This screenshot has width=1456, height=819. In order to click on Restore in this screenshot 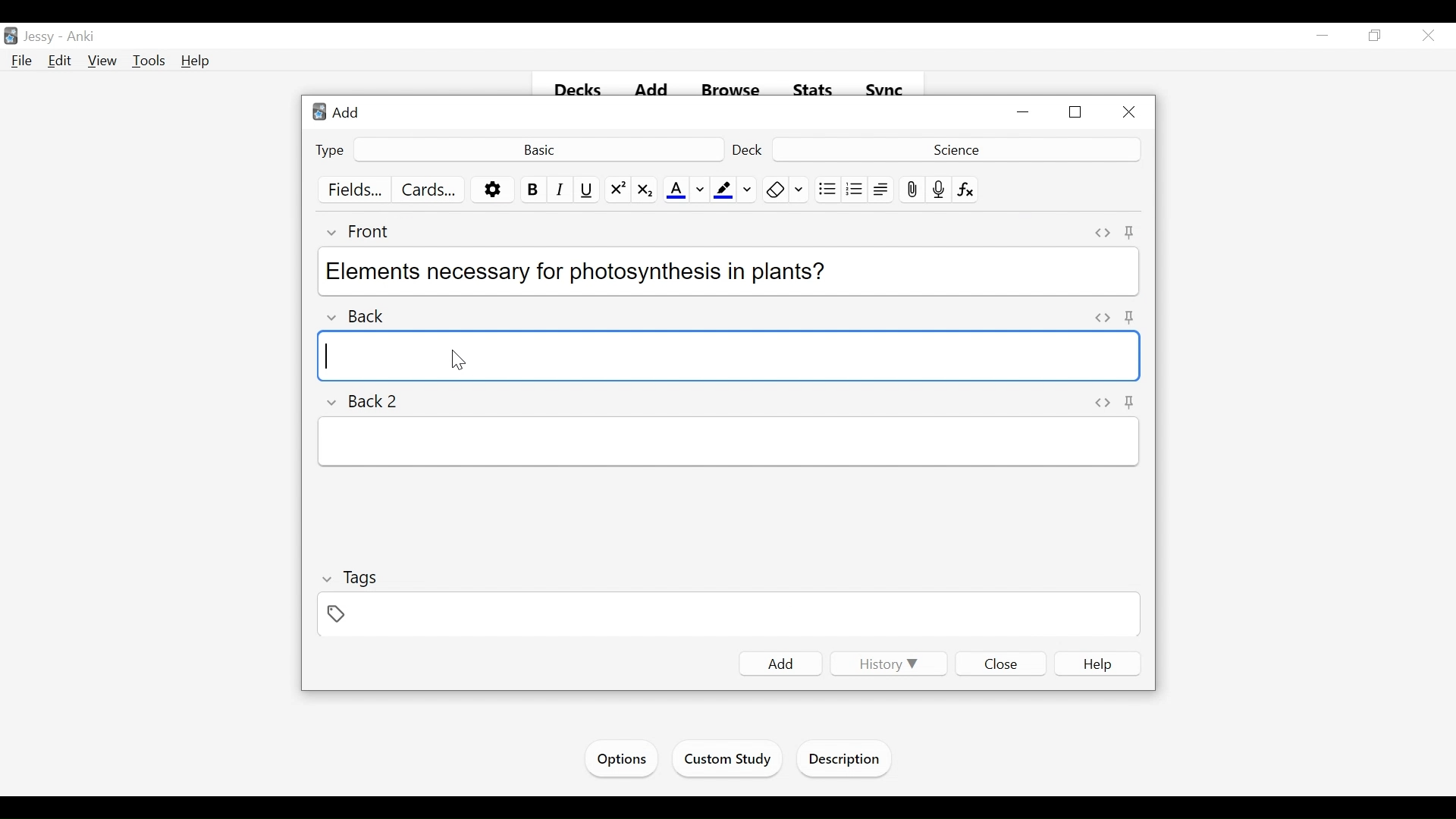, I will do `click(1373, 36)`.